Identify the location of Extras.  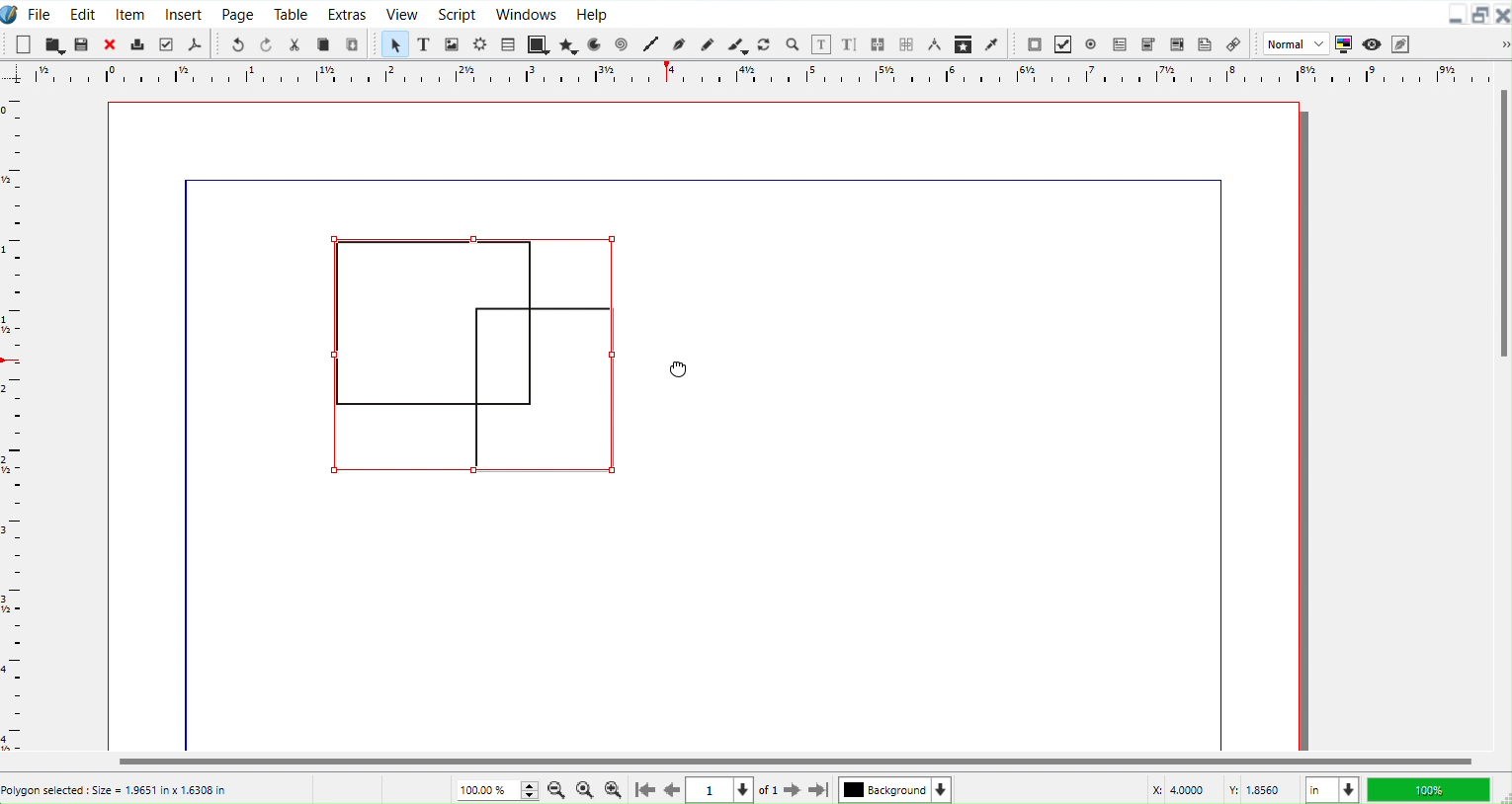
(348, 13).